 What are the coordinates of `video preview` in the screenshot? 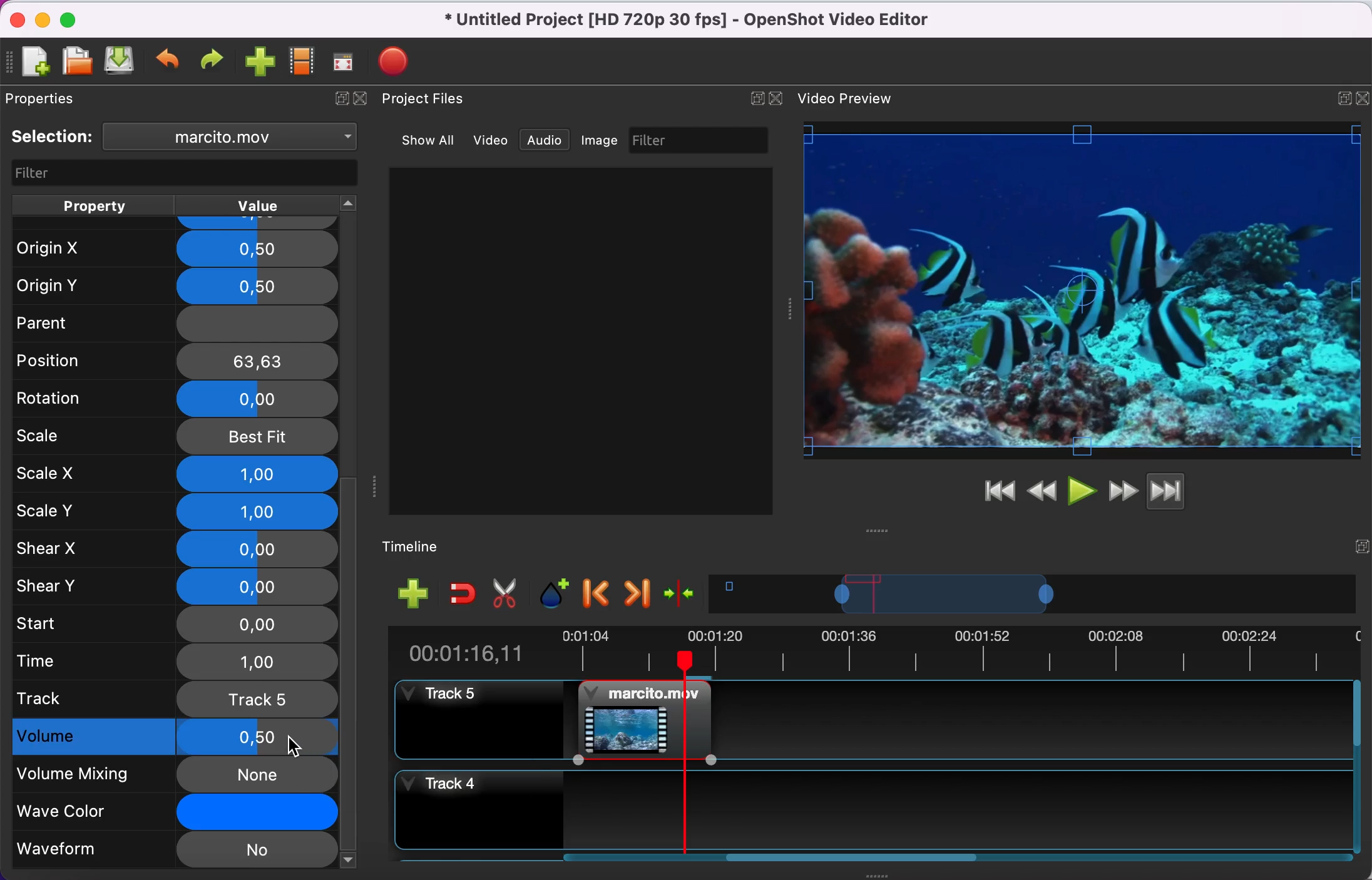 It's located at (1083, 291).